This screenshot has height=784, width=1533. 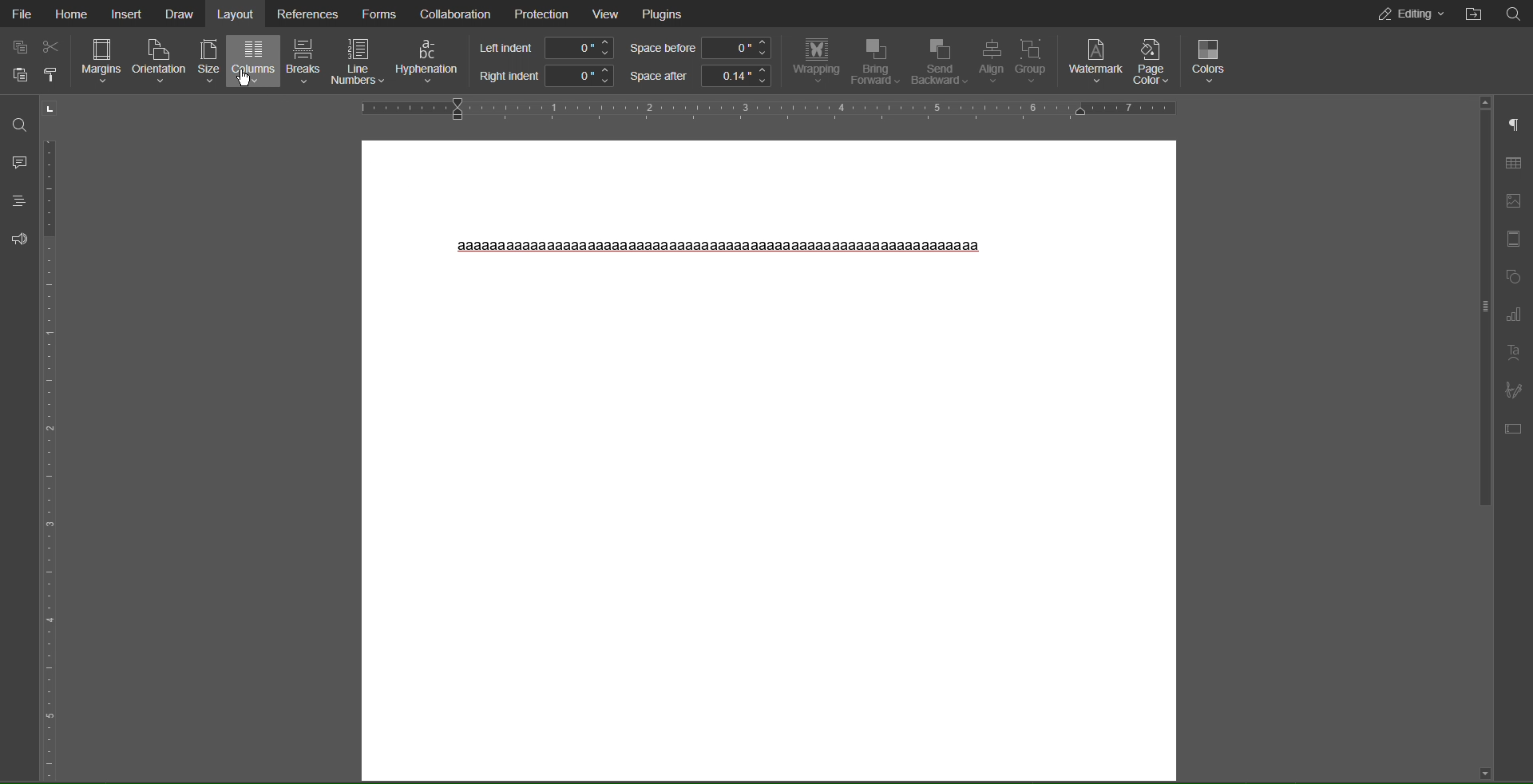 I want to click on Group, so click(x=1034, y=61).